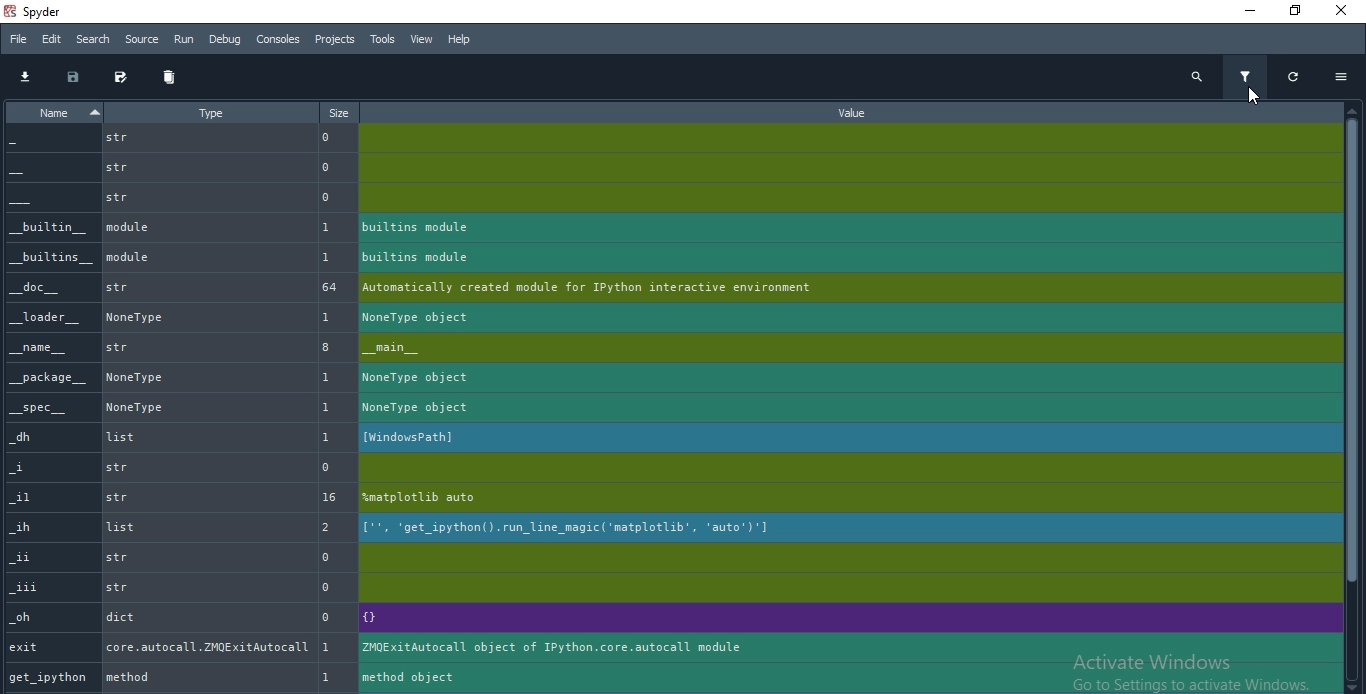  I want to click on cursor on filter, so click(1256, 95).